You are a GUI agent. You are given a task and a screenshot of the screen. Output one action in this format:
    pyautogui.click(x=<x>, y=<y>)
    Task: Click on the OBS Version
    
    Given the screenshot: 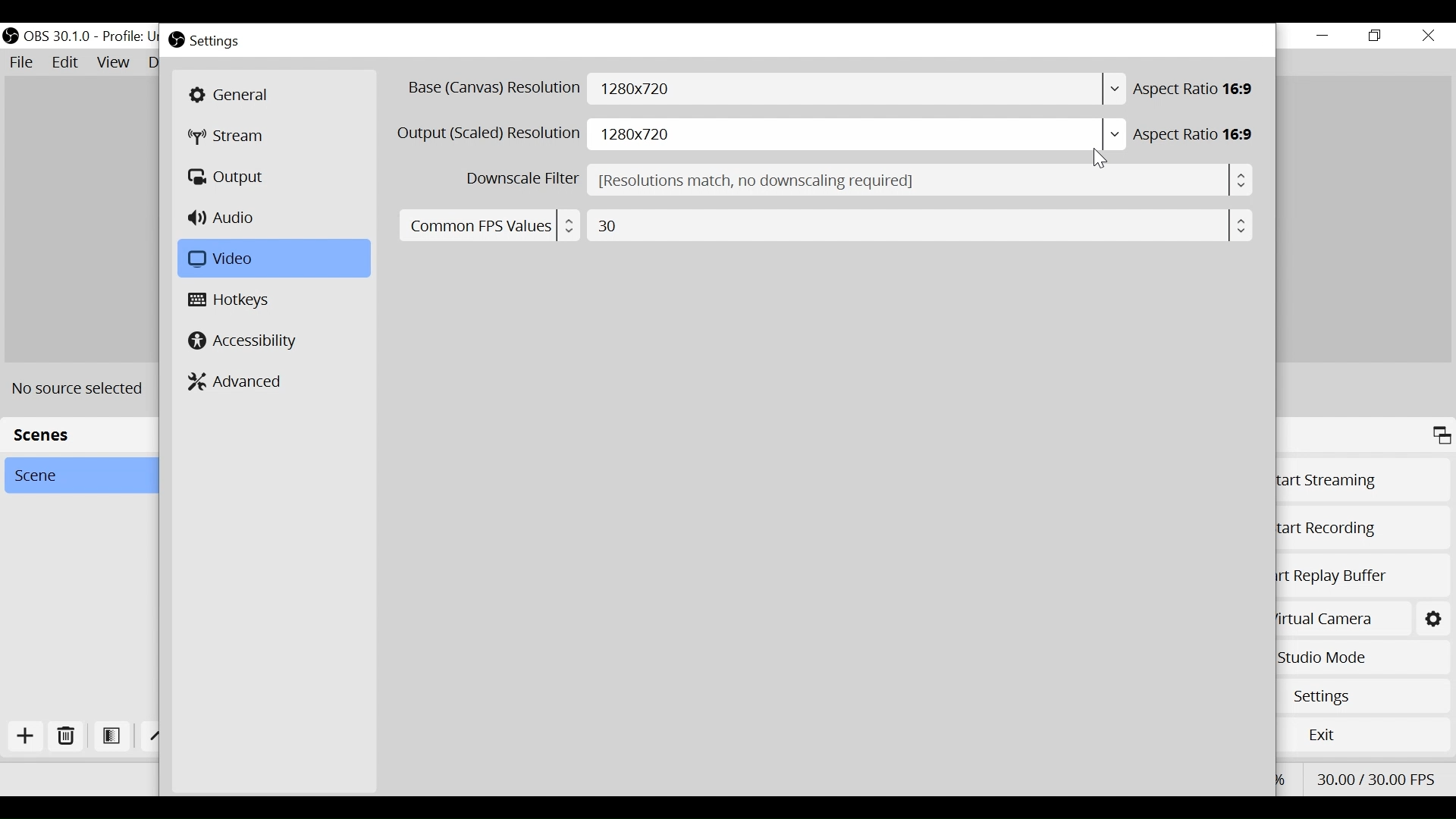 What is the action you would take?
    pyautogui.click(x=57, y=36)
    